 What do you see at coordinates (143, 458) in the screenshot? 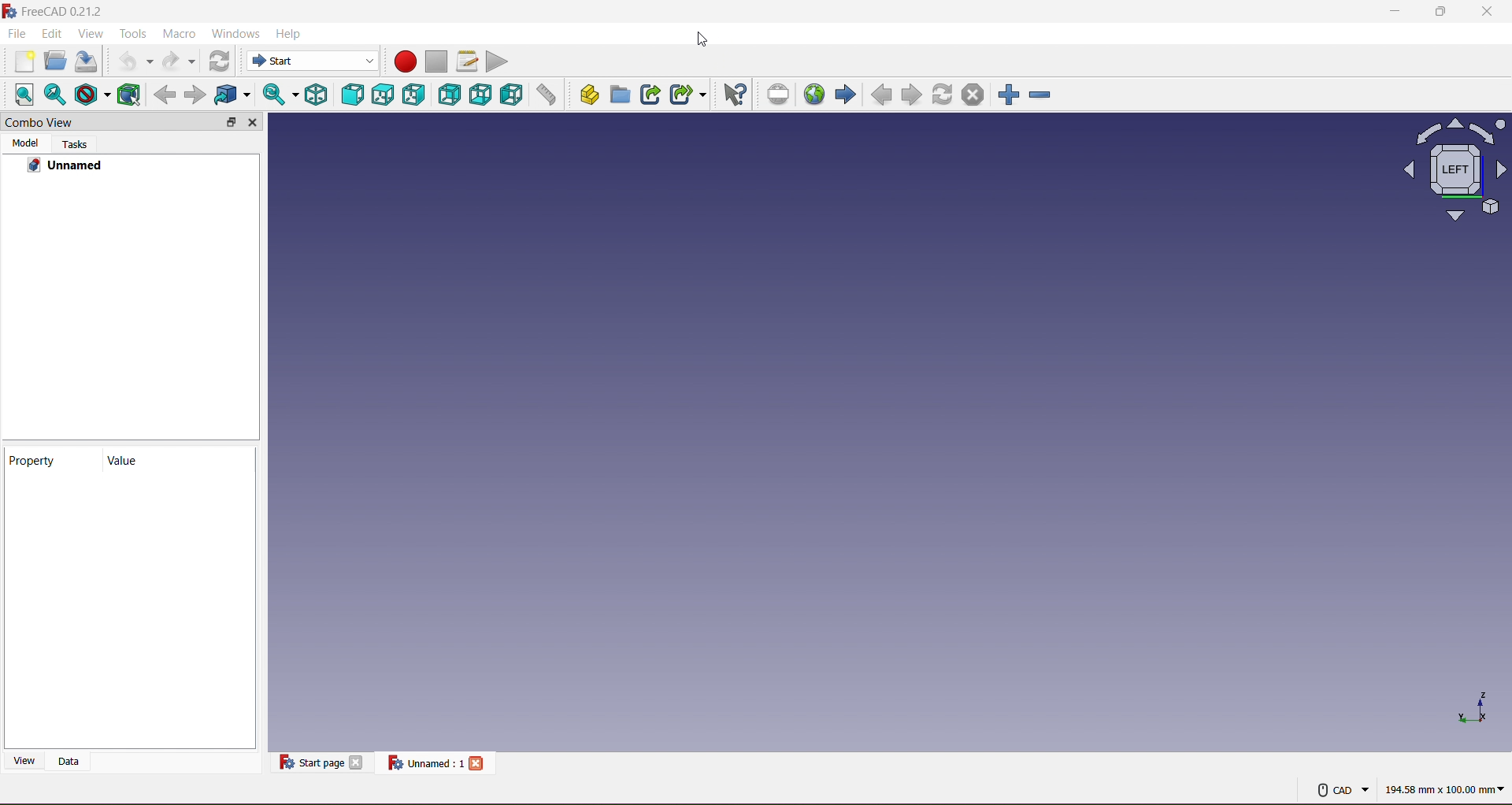
I see `Value` at bounding box center [143, 458].